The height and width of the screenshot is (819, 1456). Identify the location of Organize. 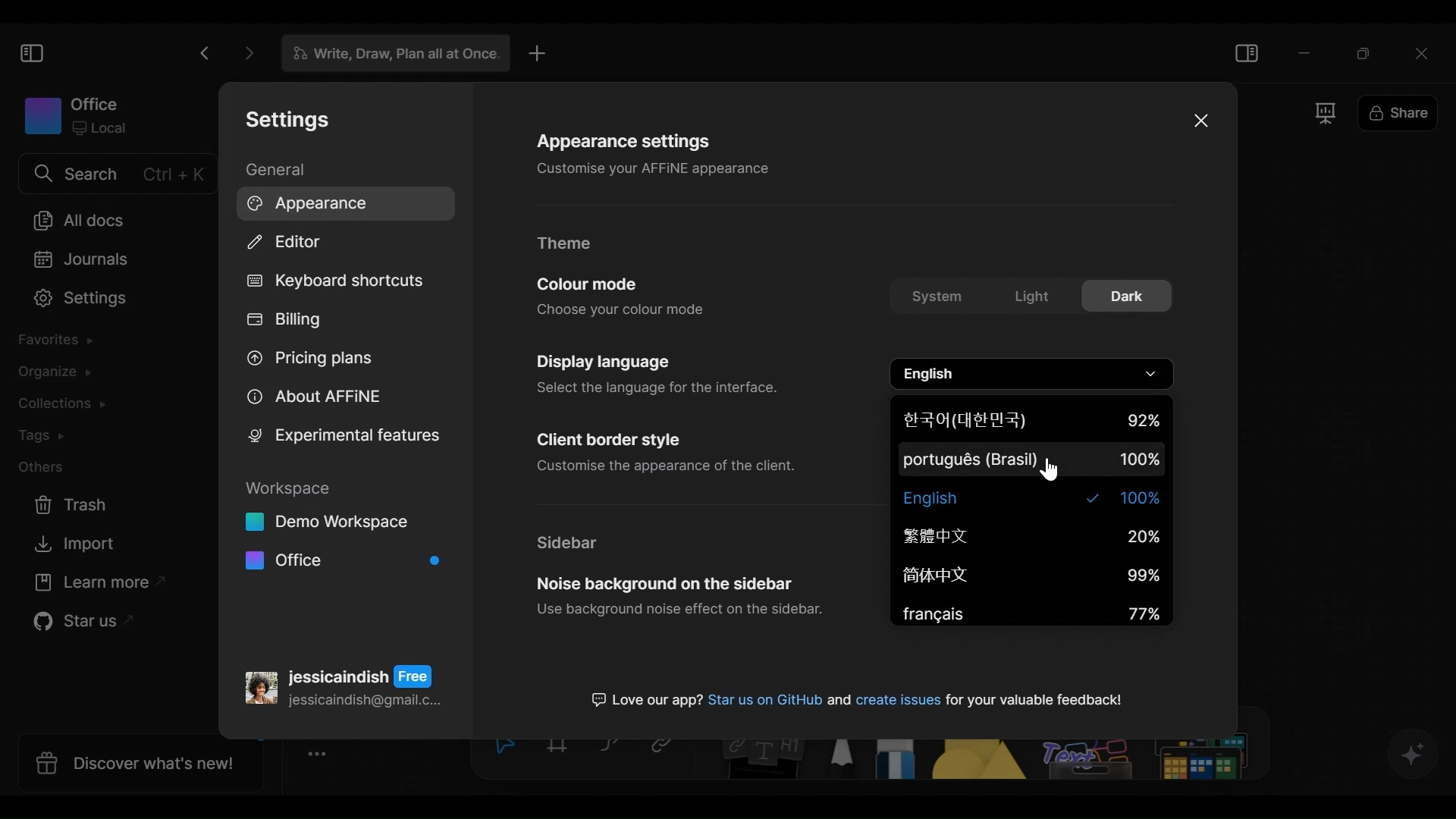
(53, 373).